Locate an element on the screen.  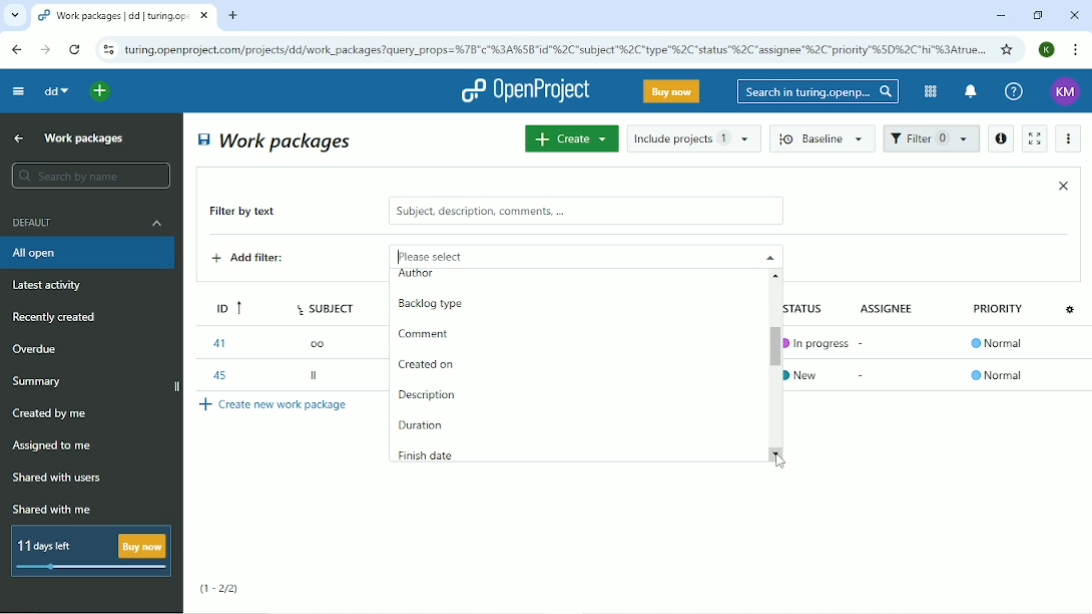
Account is located at coordinates (1066, 92).